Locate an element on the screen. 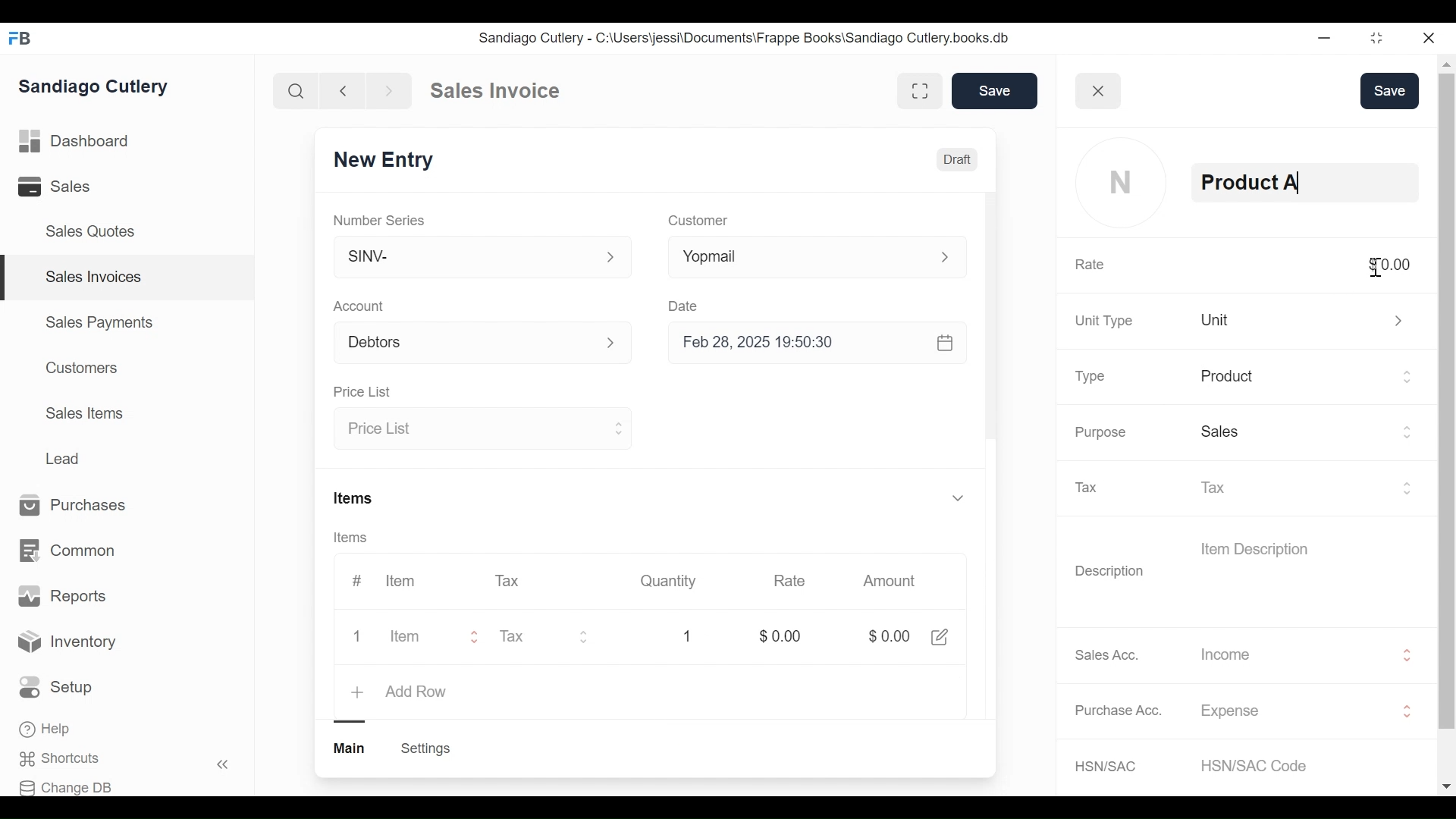  Account p is located at coordinates (484, 342).